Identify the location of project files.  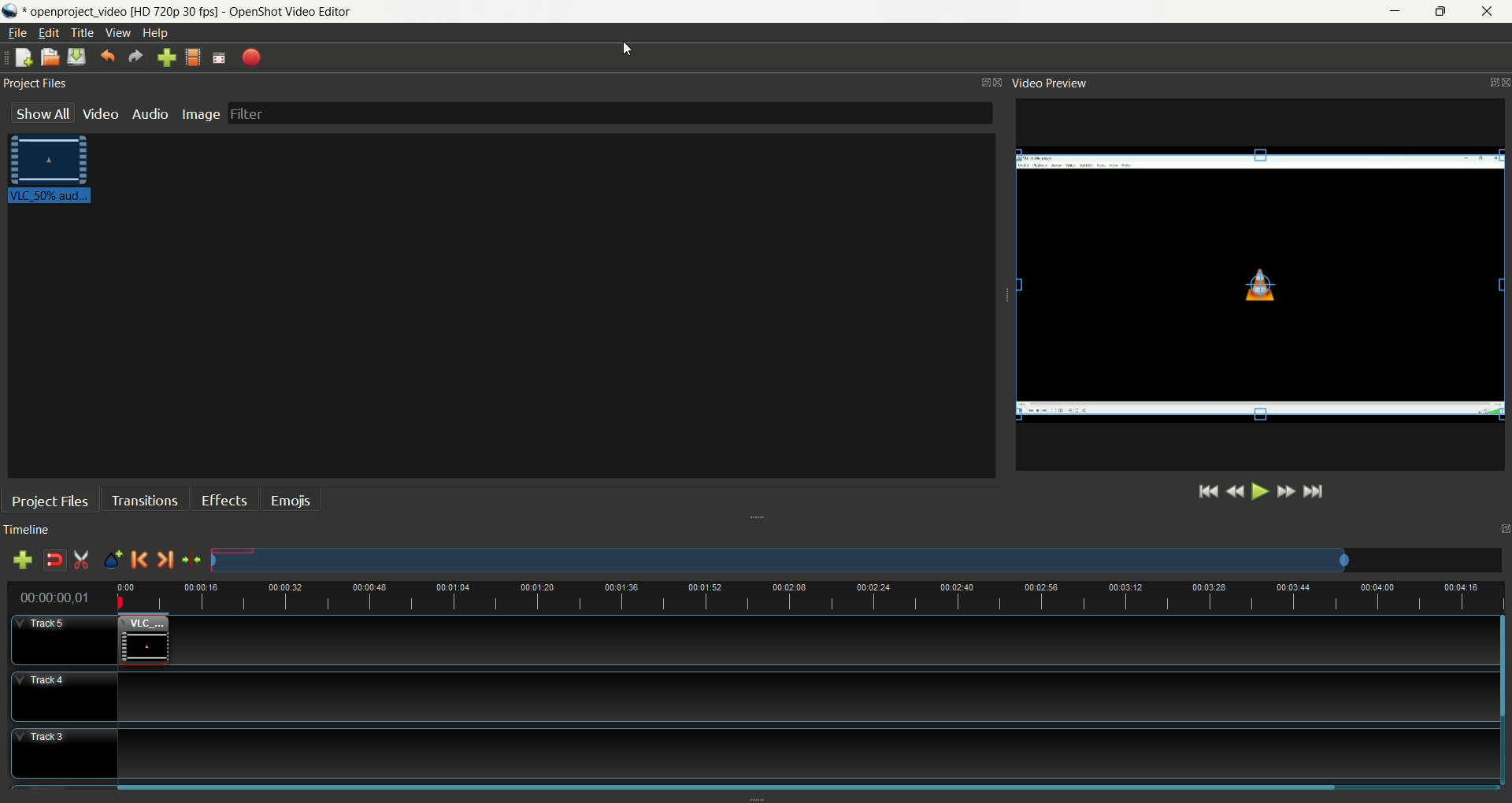
(39, 85).